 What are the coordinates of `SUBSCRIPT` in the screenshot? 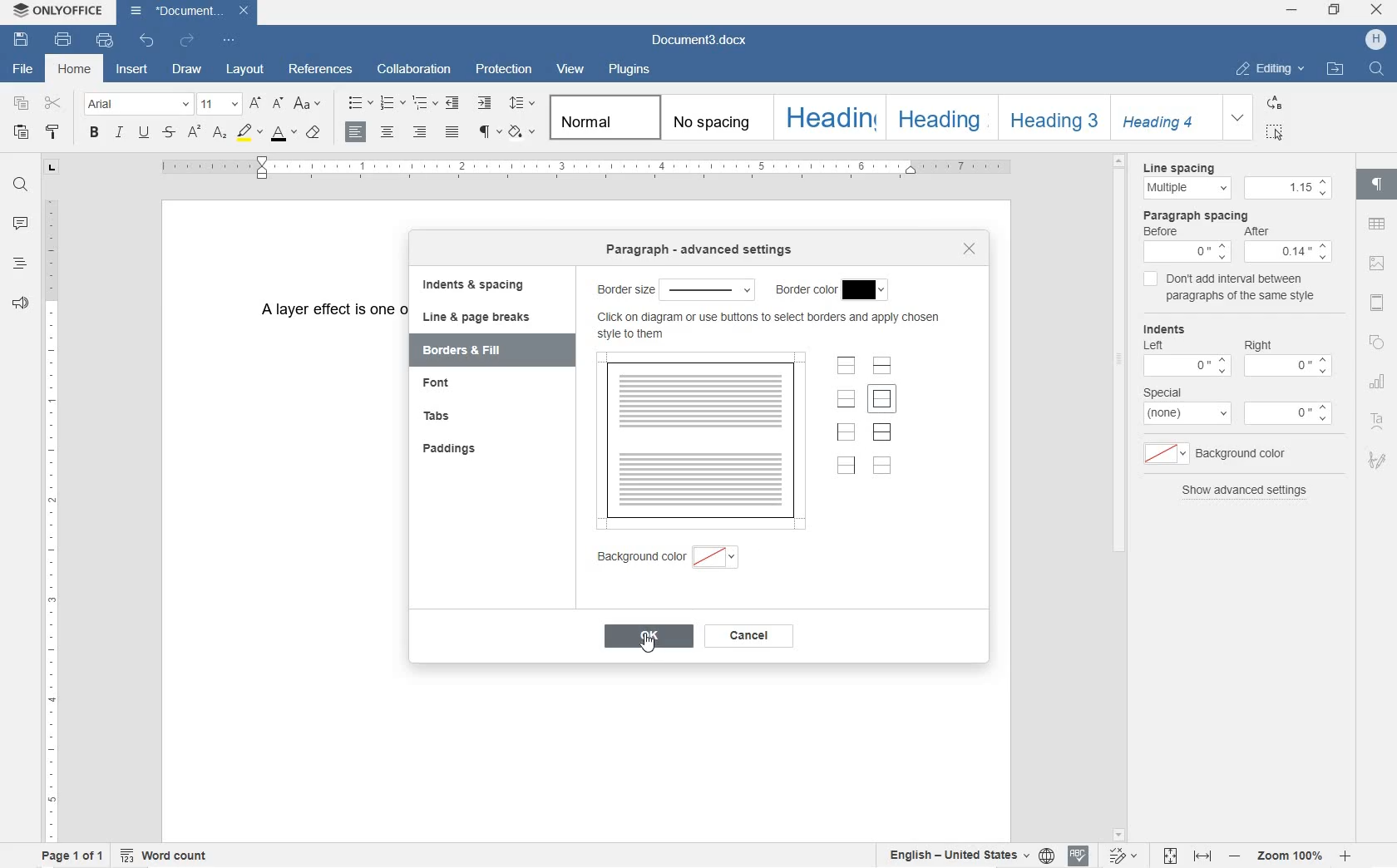 It's located at (219, 133).